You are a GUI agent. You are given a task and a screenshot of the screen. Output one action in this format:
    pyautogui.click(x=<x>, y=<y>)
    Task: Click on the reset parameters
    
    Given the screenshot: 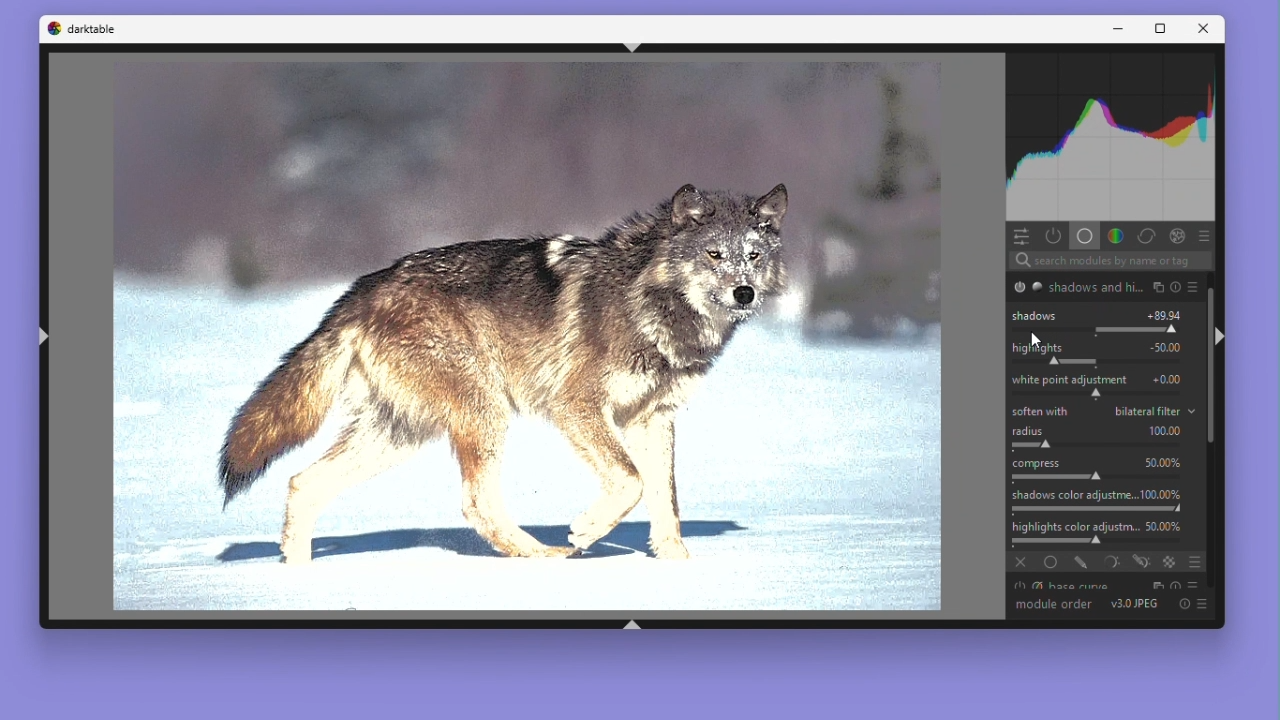 What is the action you would take?
    pyautogui.click(x=1177, y=585)
    